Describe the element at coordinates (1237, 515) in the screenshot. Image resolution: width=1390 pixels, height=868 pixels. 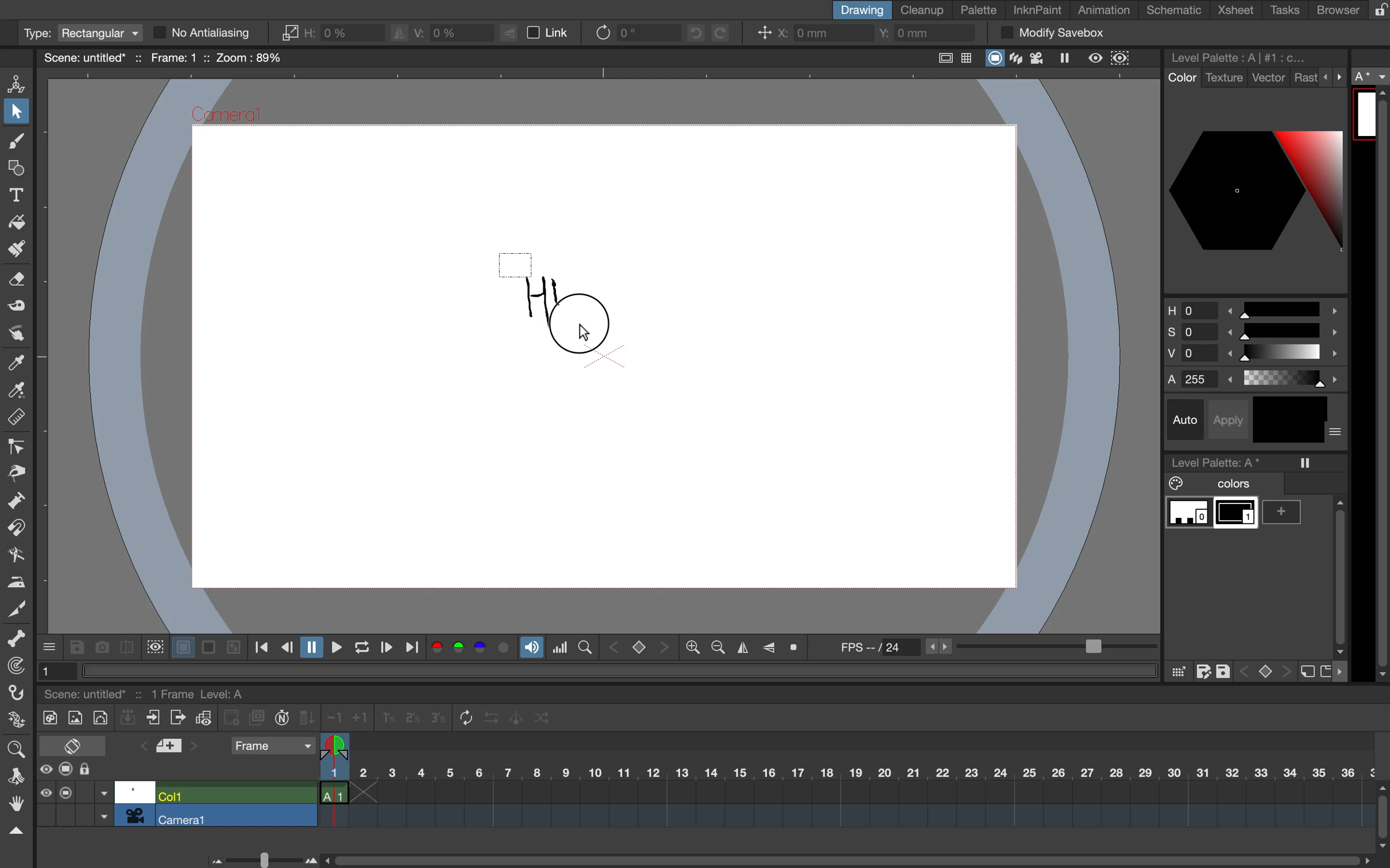
I see `color 1` at that location.